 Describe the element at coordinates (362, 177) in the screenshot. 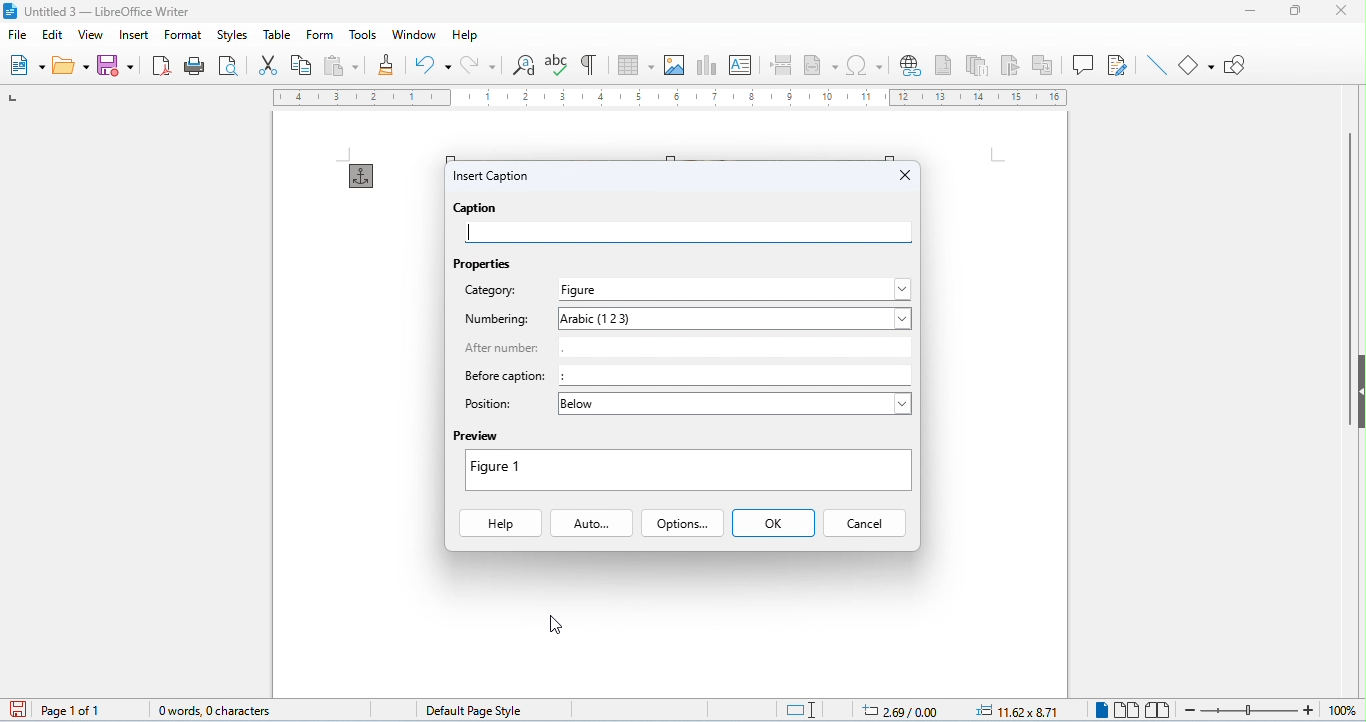

I see `anchor` at that location.